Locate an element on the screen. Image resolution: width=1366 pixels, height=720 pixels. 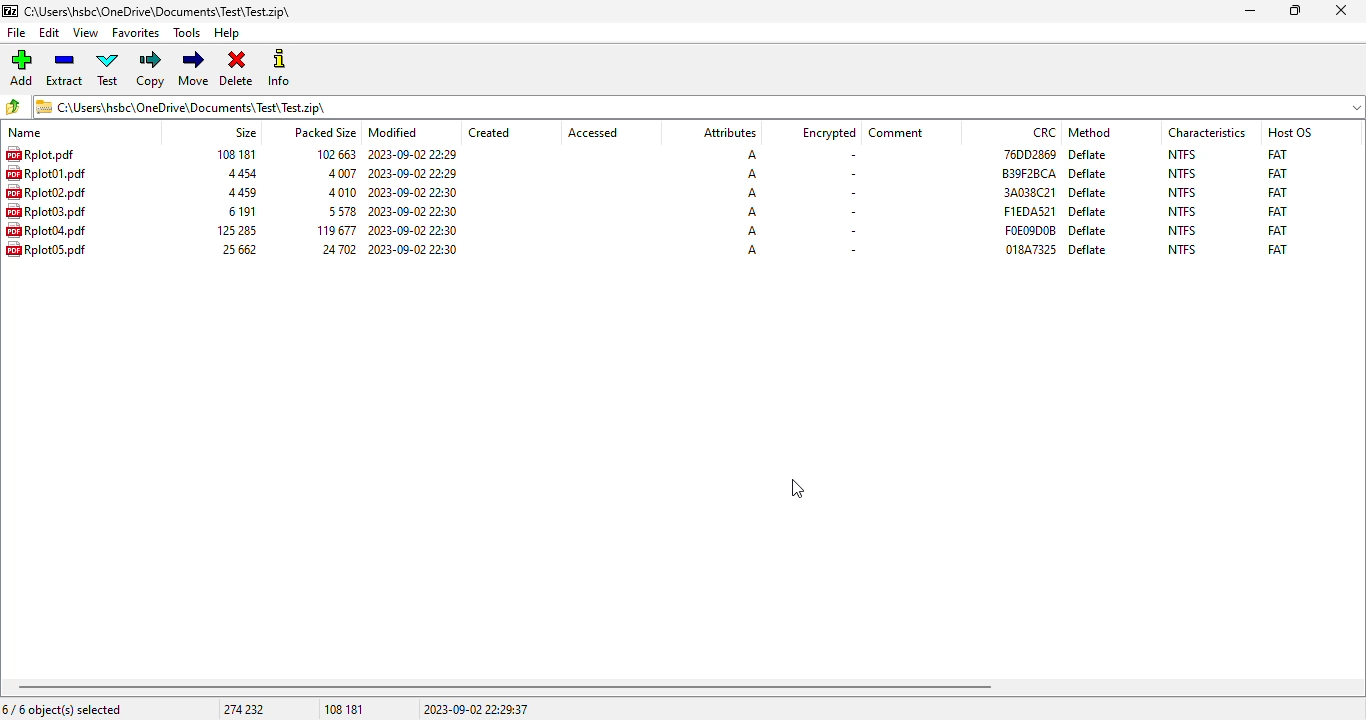
A is located at coordinates (752, 211).